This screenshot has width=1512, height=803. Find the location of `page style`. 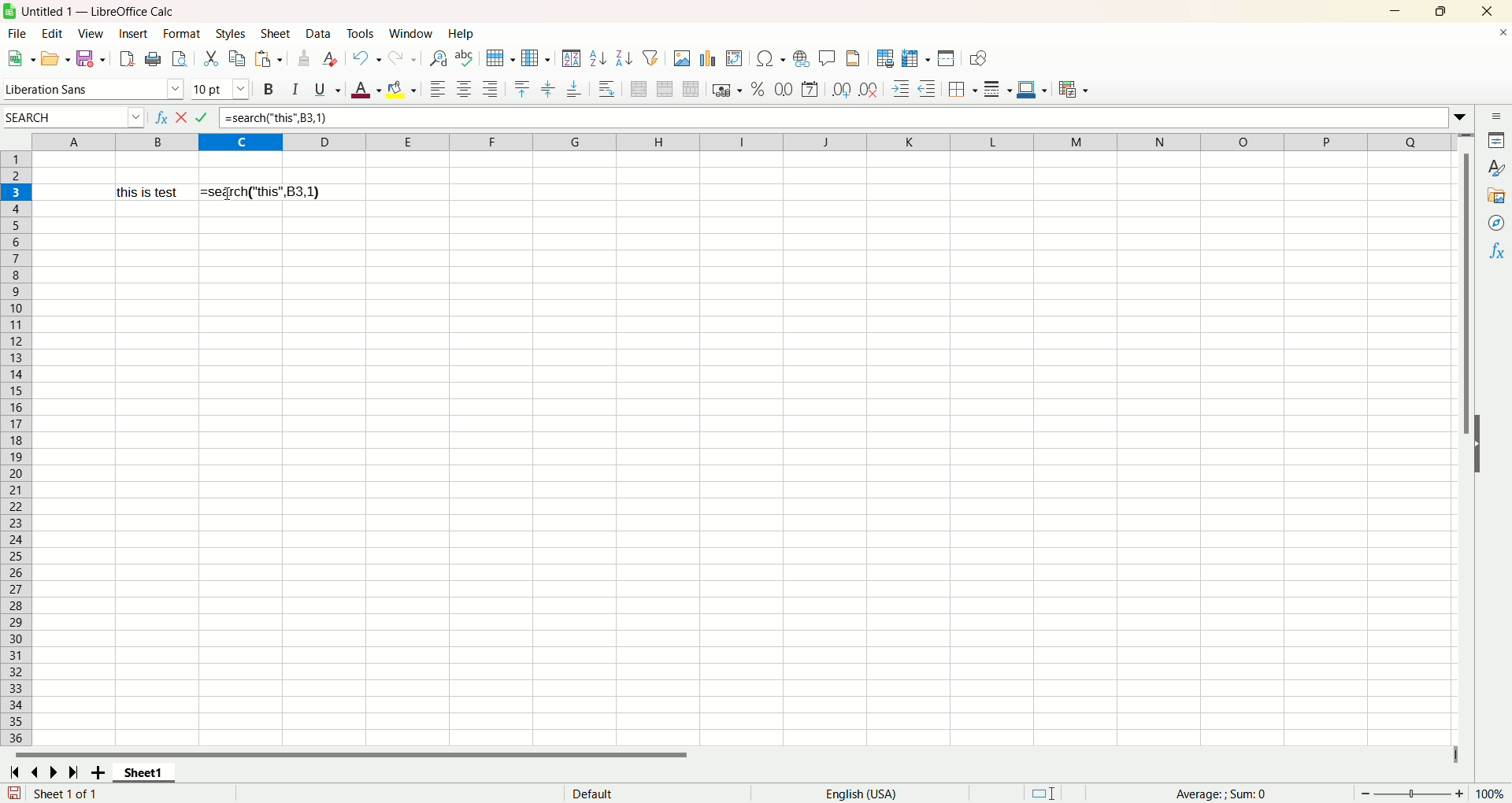

page style is located at coordinates (593, 793).